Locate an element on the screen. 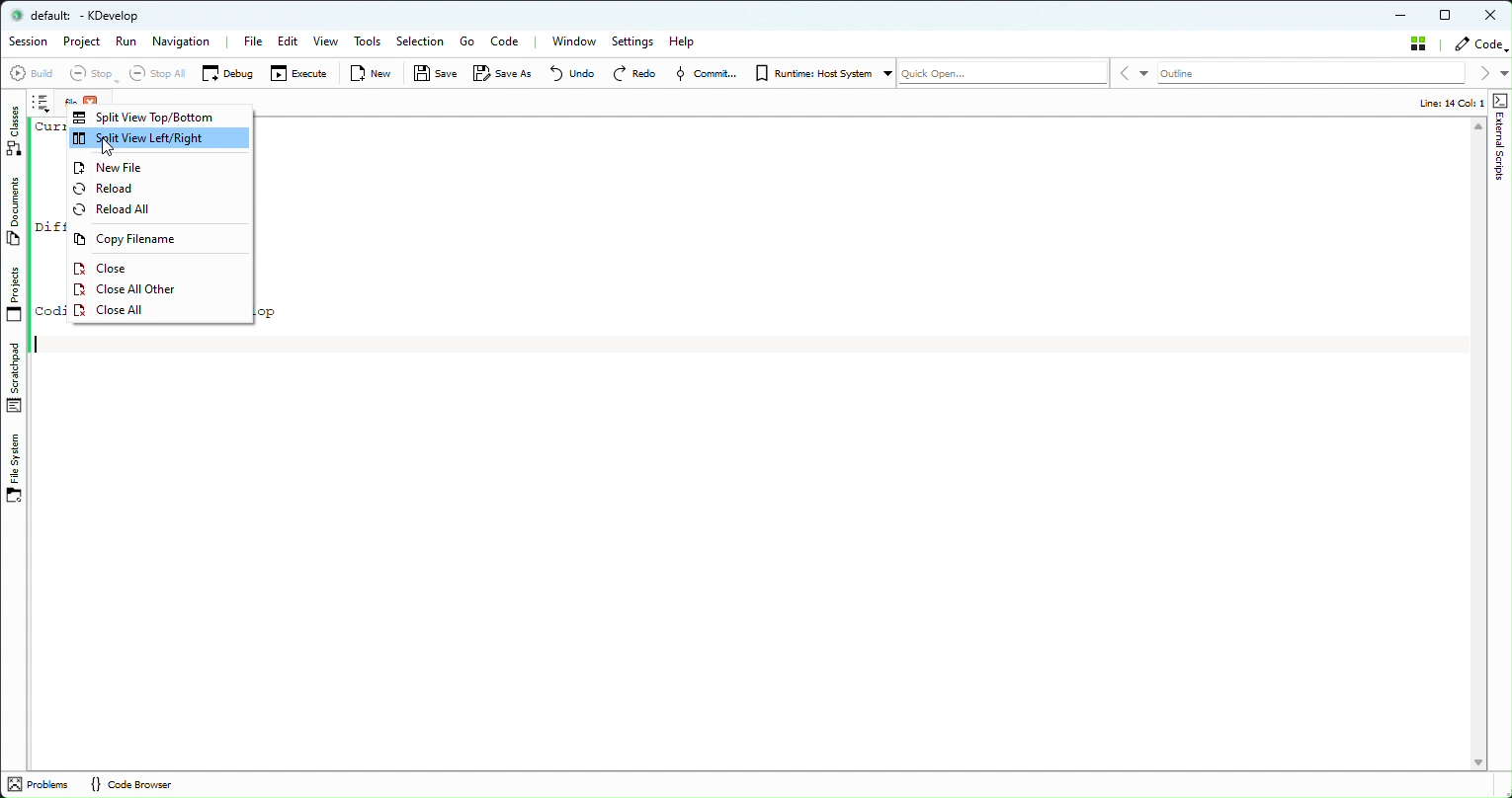 This screenshot has width=1512, height=798. Save is located at coordinates (437, 73).